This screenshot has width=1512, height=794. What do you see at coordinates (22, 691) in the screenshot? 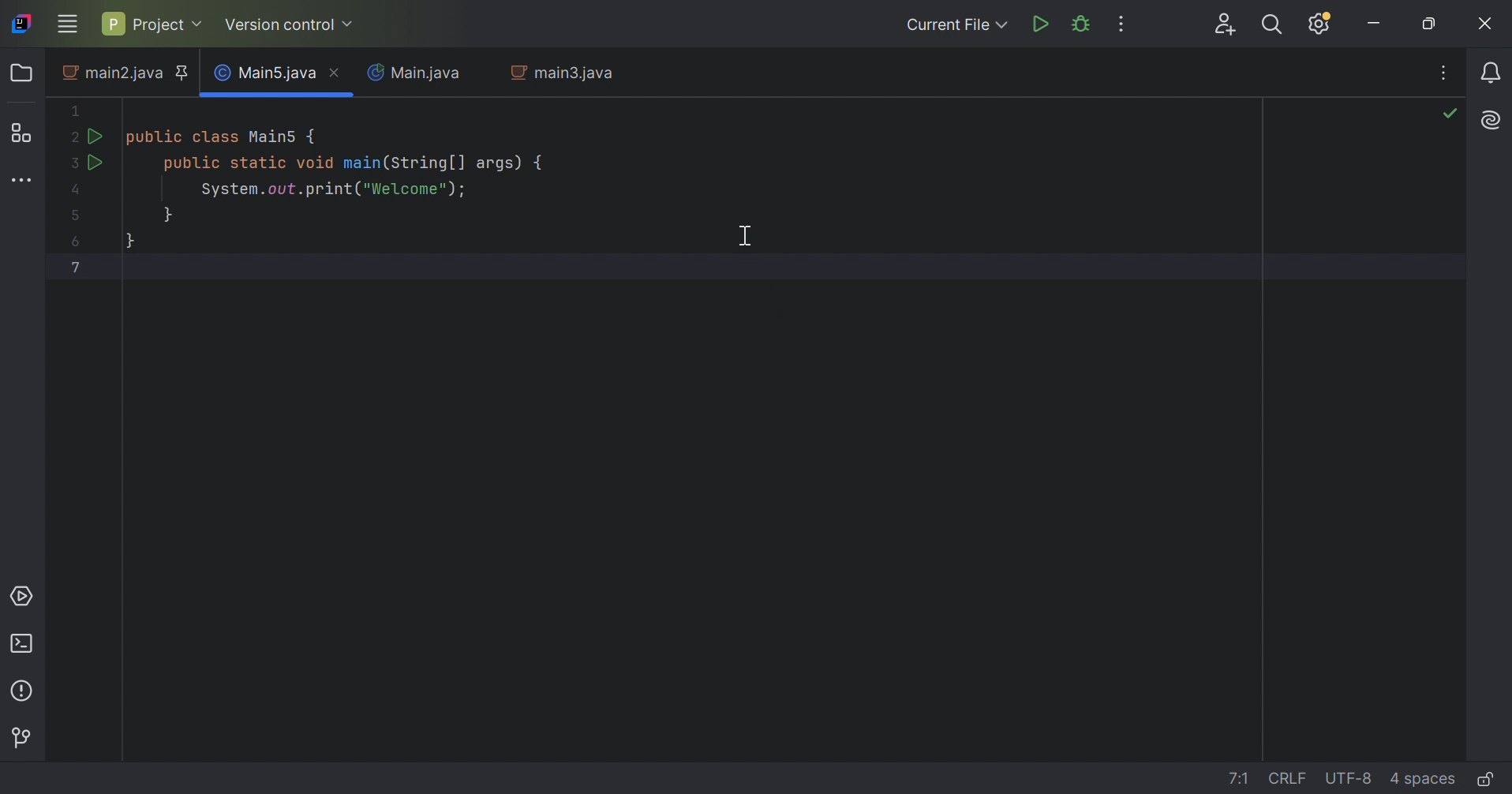
I see `Problems` at bounding box center [22, 691].